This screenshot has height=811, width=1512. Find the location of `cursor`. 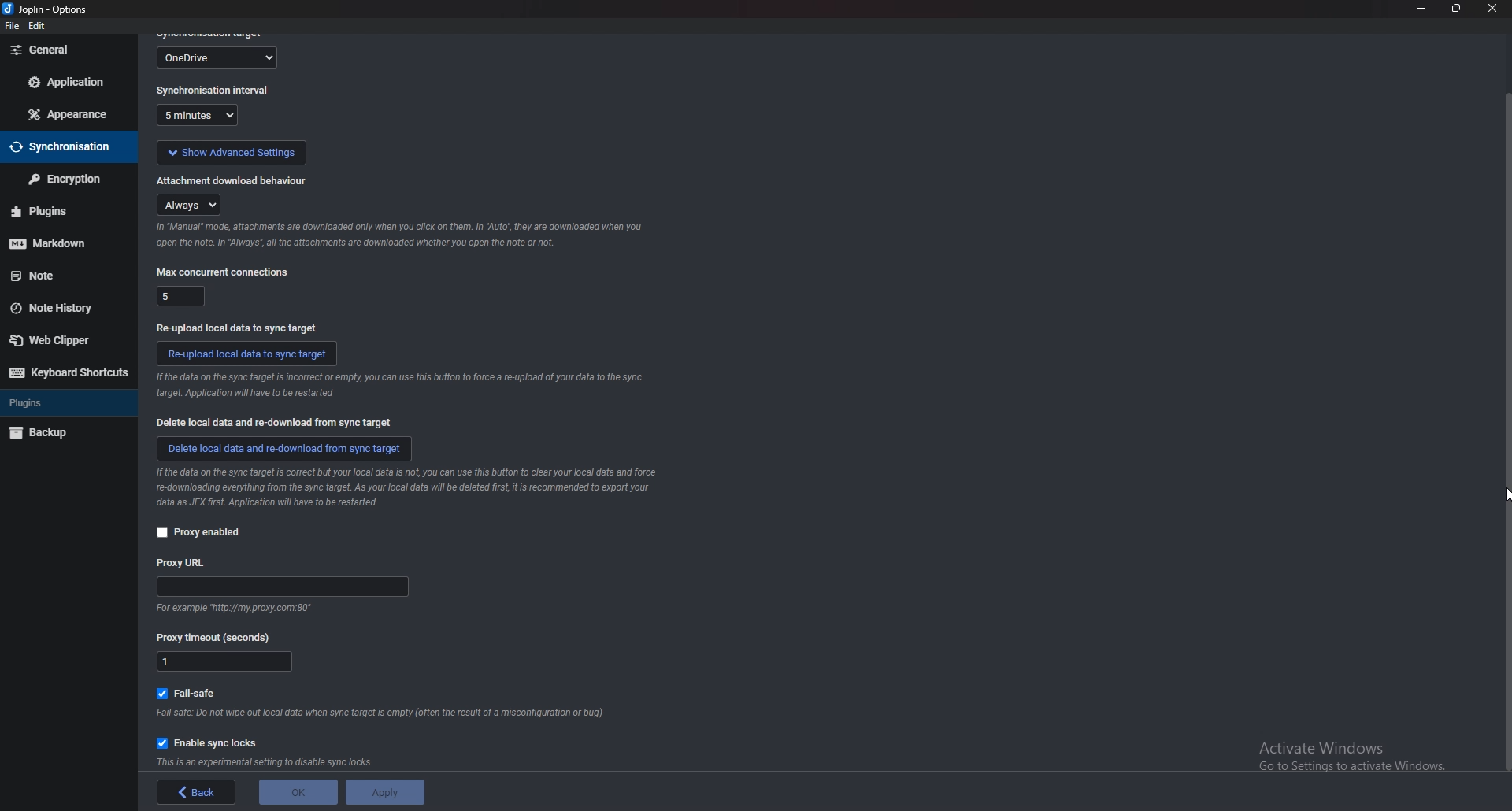

cursor is located at coordinates (1503, 499).